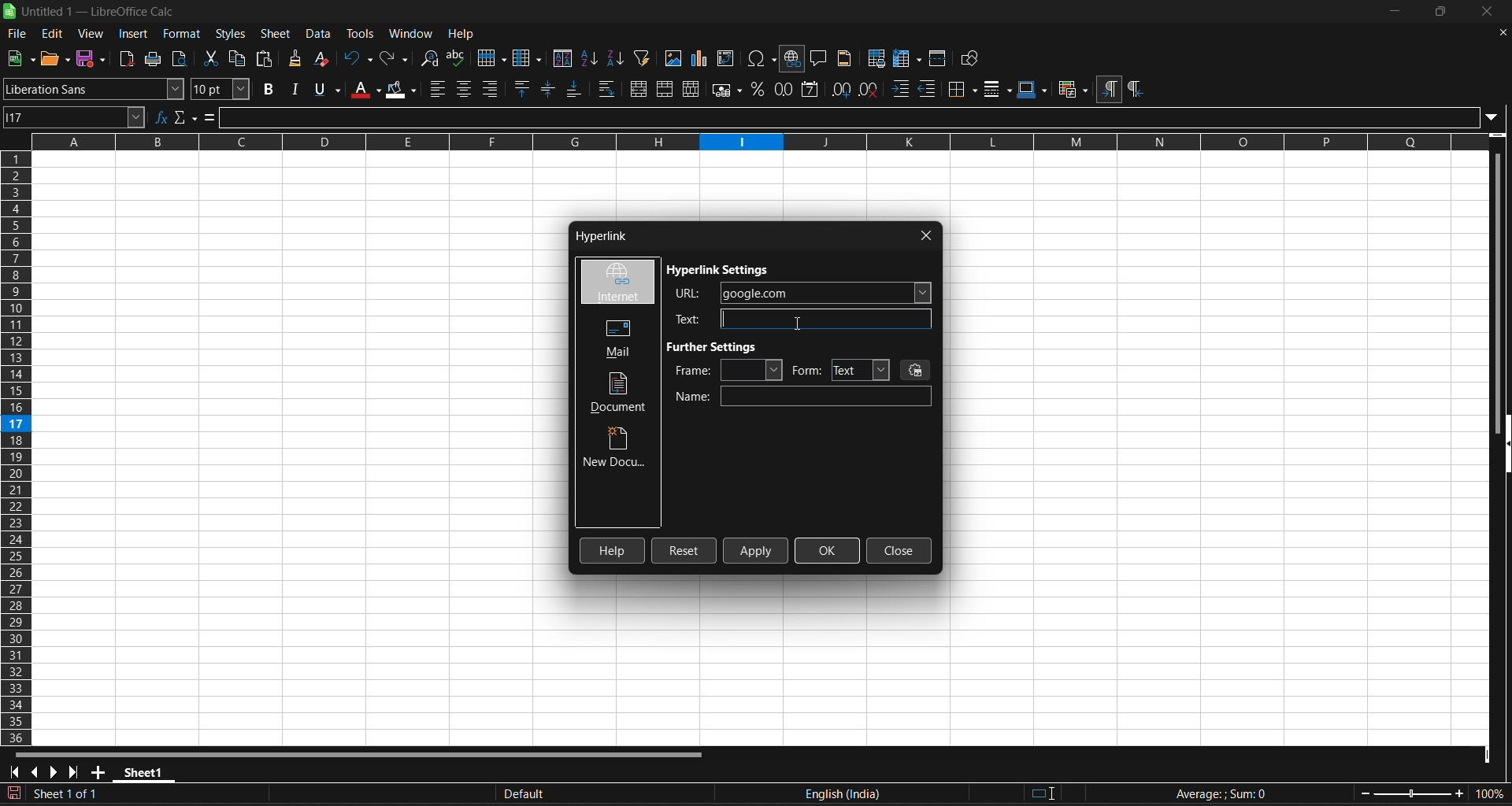  What do you see at coordinates (638, 88) in the screenshot?
I see `merge and center or unmerge cells depending on the current toggle state` at bounding box center [638, 88].